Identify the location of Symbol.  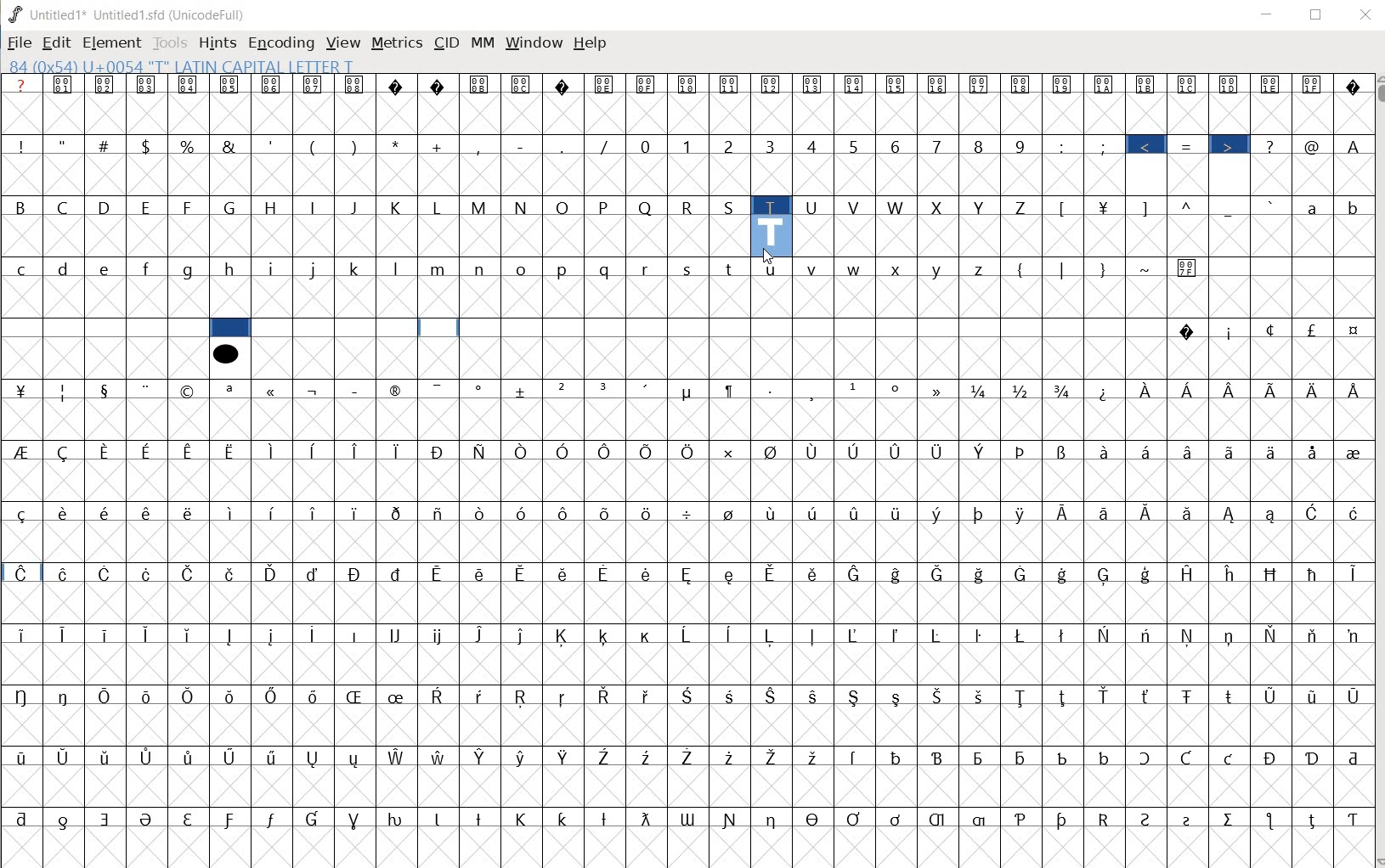
(896, 389).